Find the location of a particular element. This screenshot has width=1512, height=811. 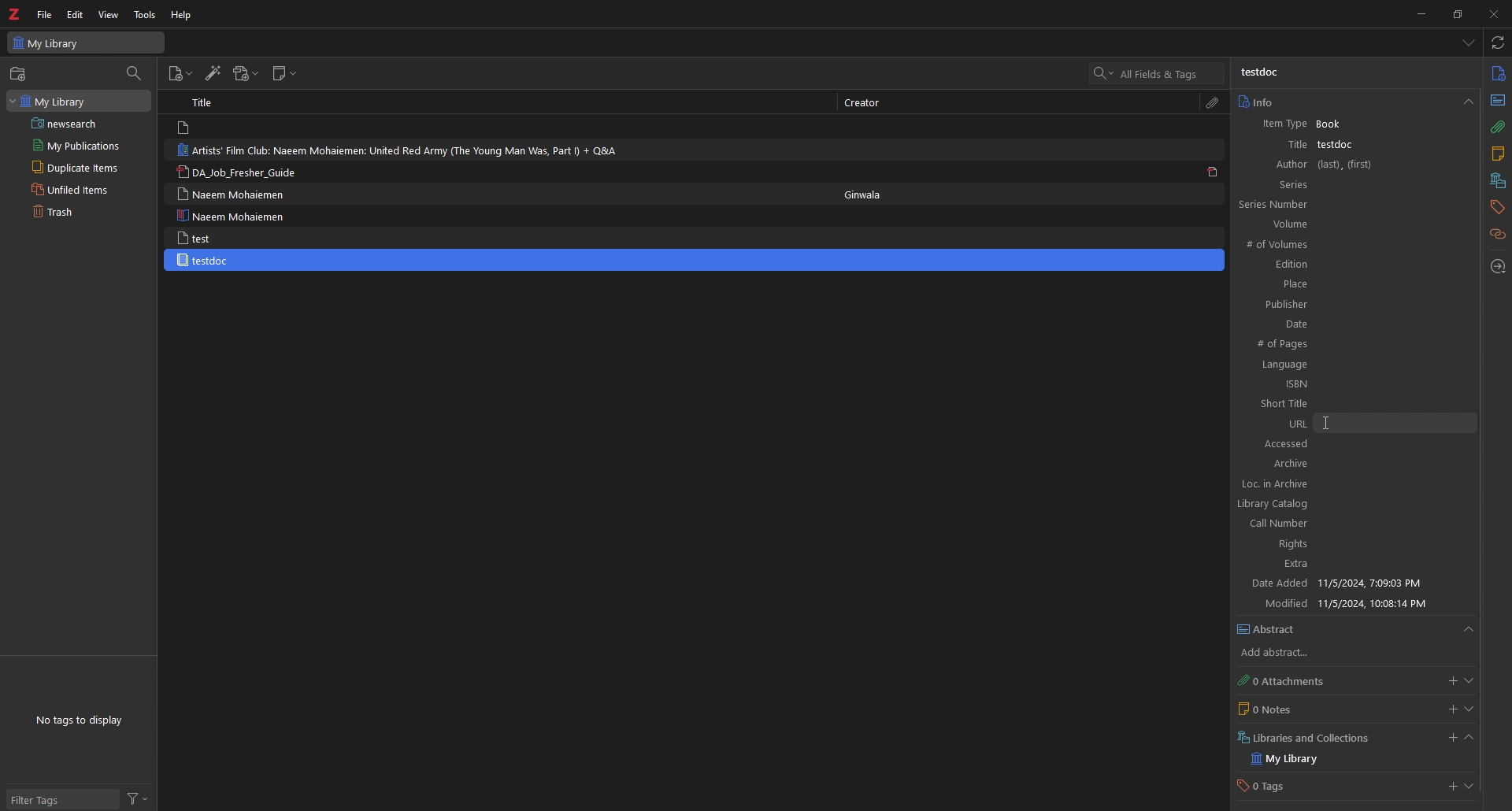

Loc. in archive is located at coordinates (1349, 484).